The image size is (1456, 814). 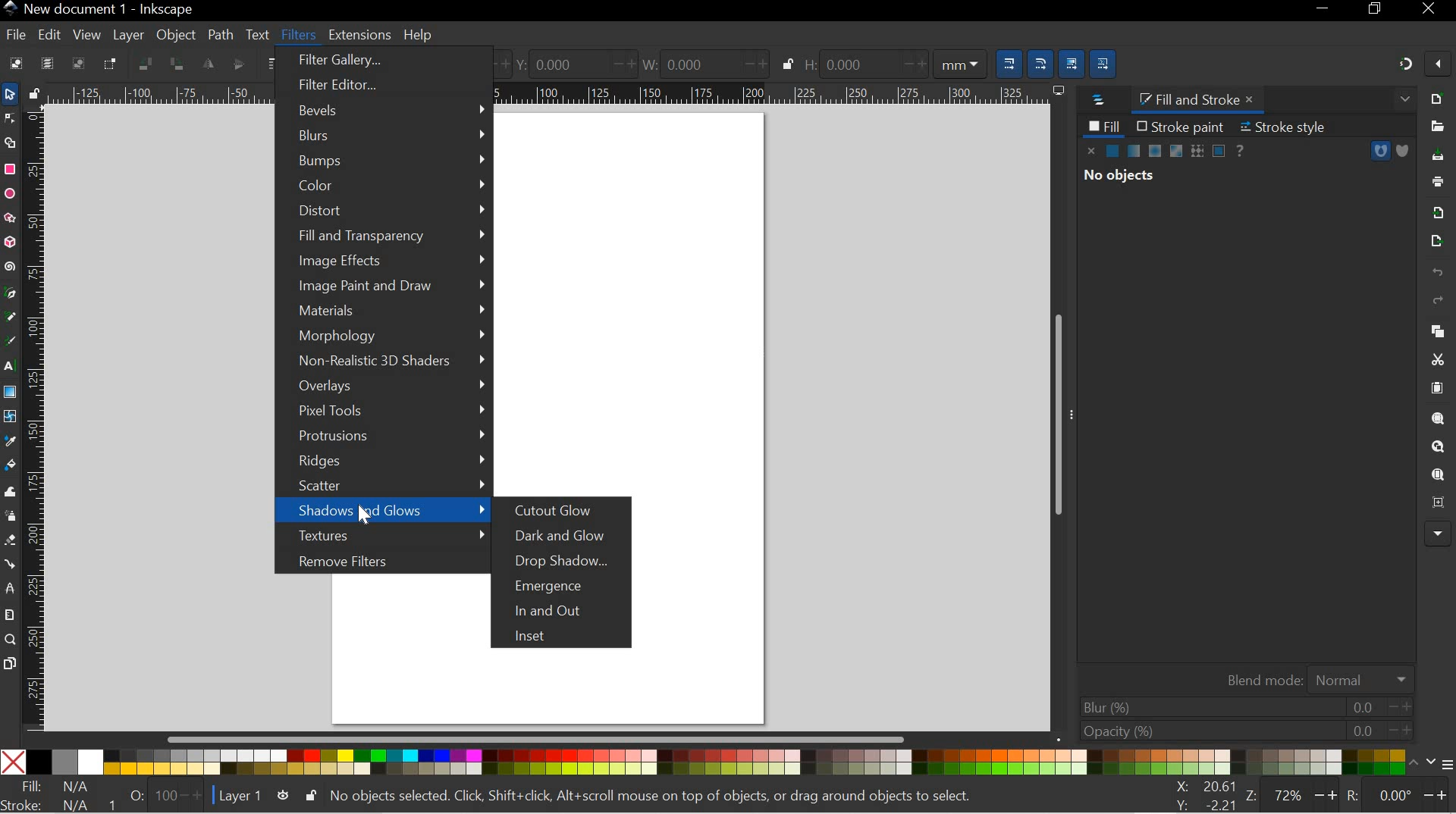 I want to click on SCROLLBAR, so click(x=1061, y=416).